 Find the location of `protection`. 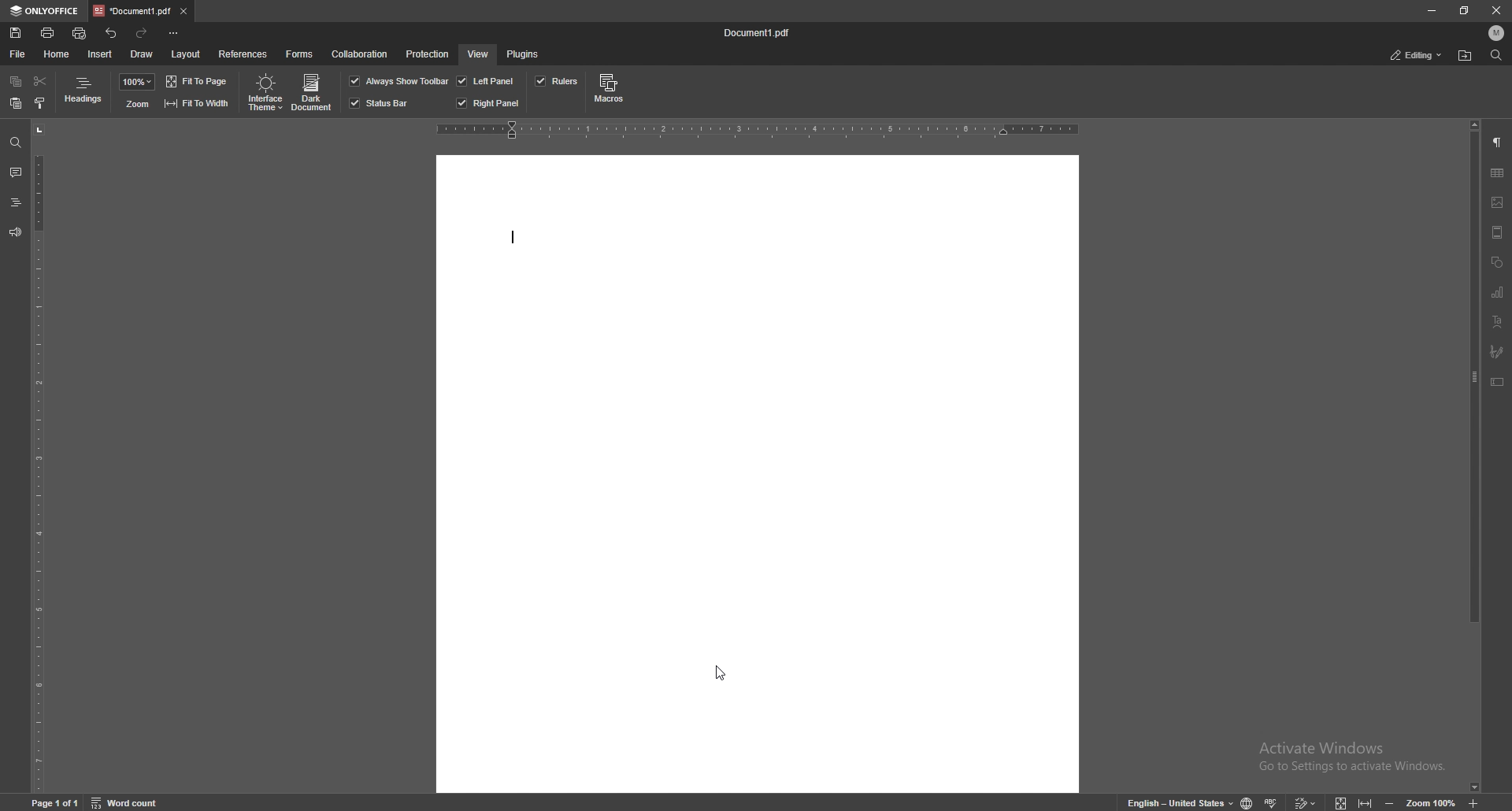

protection is located at coordinates (428, 53).